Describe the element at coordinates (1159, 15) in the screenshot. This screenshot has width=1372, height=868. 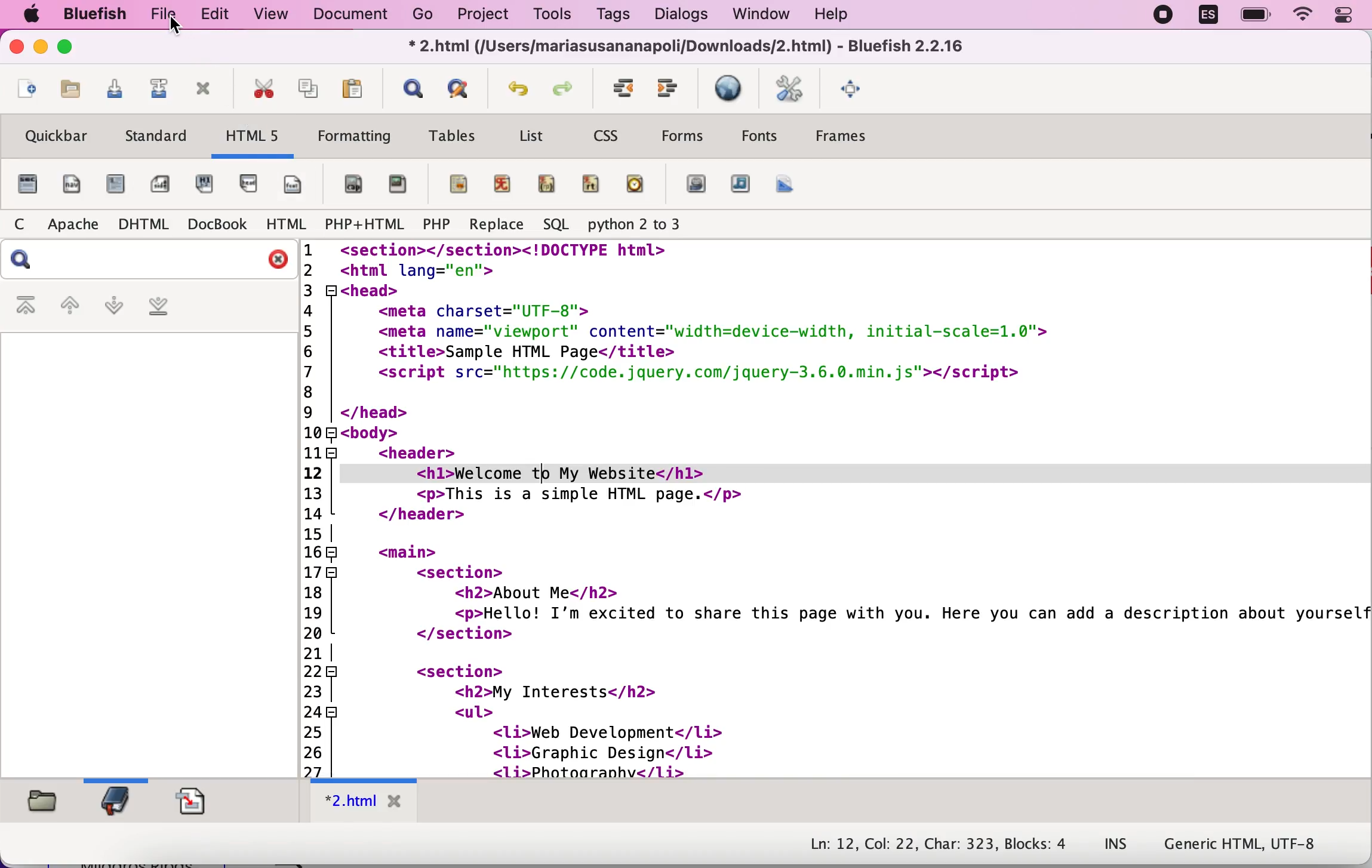
I see `recording stopped` at that location.